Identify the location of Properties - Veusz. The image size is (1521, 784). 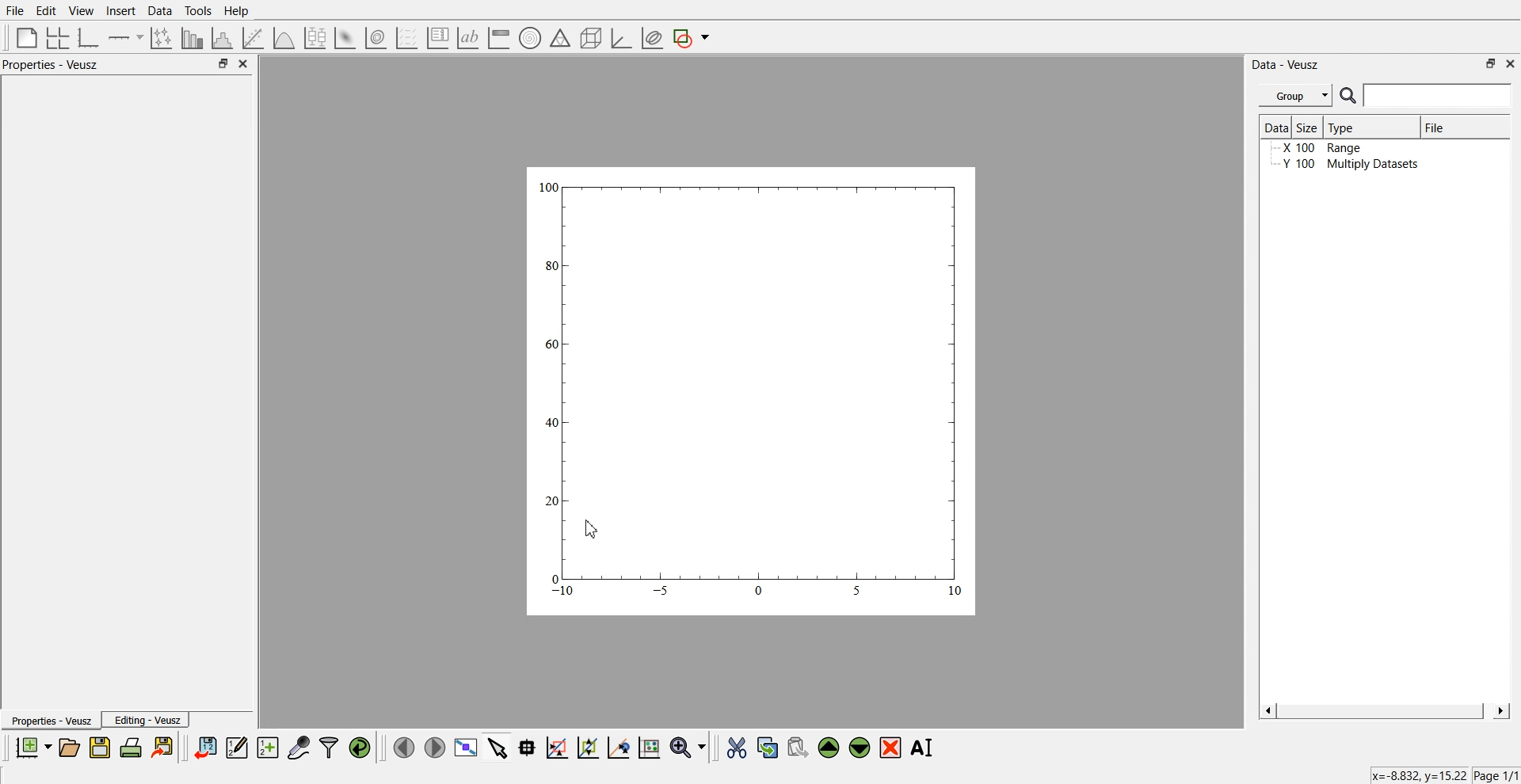
(51, 721).